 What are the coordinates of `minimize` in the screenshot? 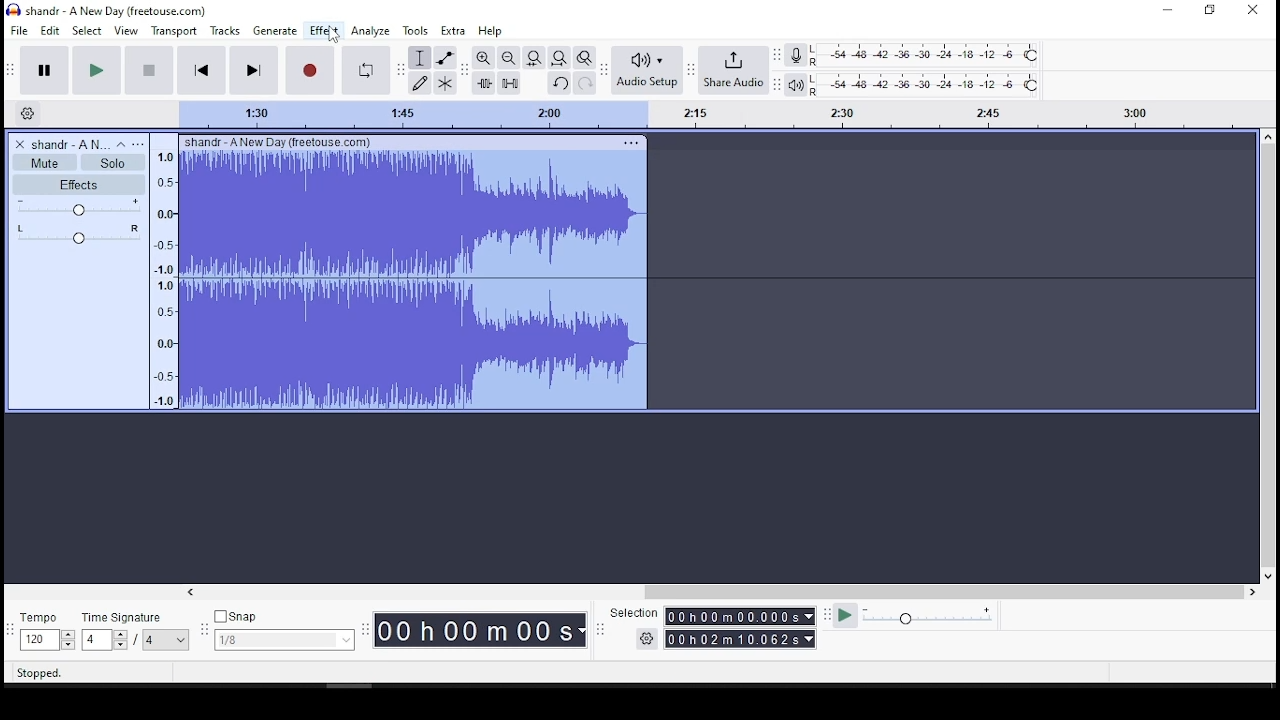 It's located at (1167, 10).